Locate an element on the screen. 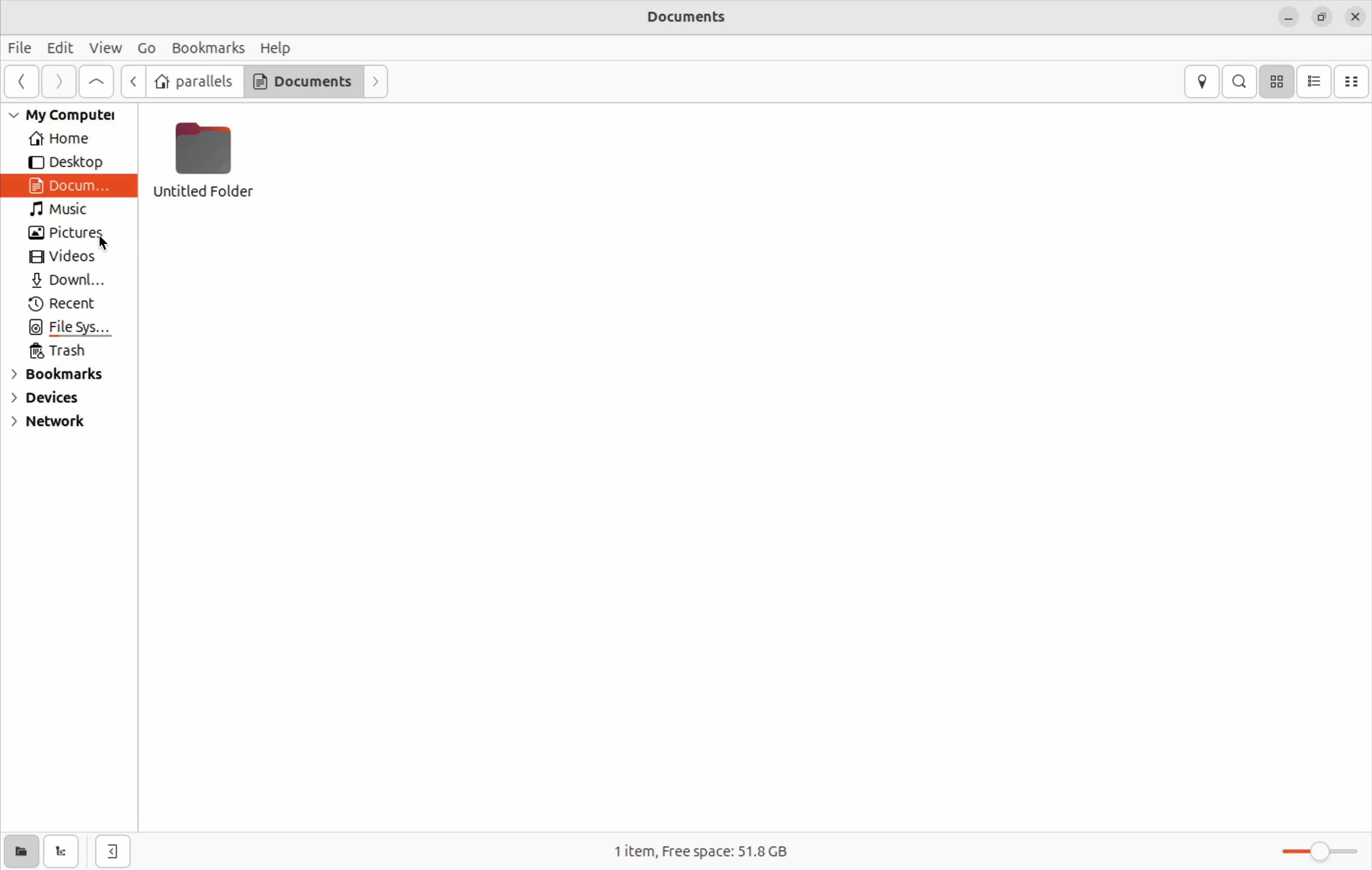 This screenshot has height=870, width=1372. Trash is located at coordinates (62, 352).